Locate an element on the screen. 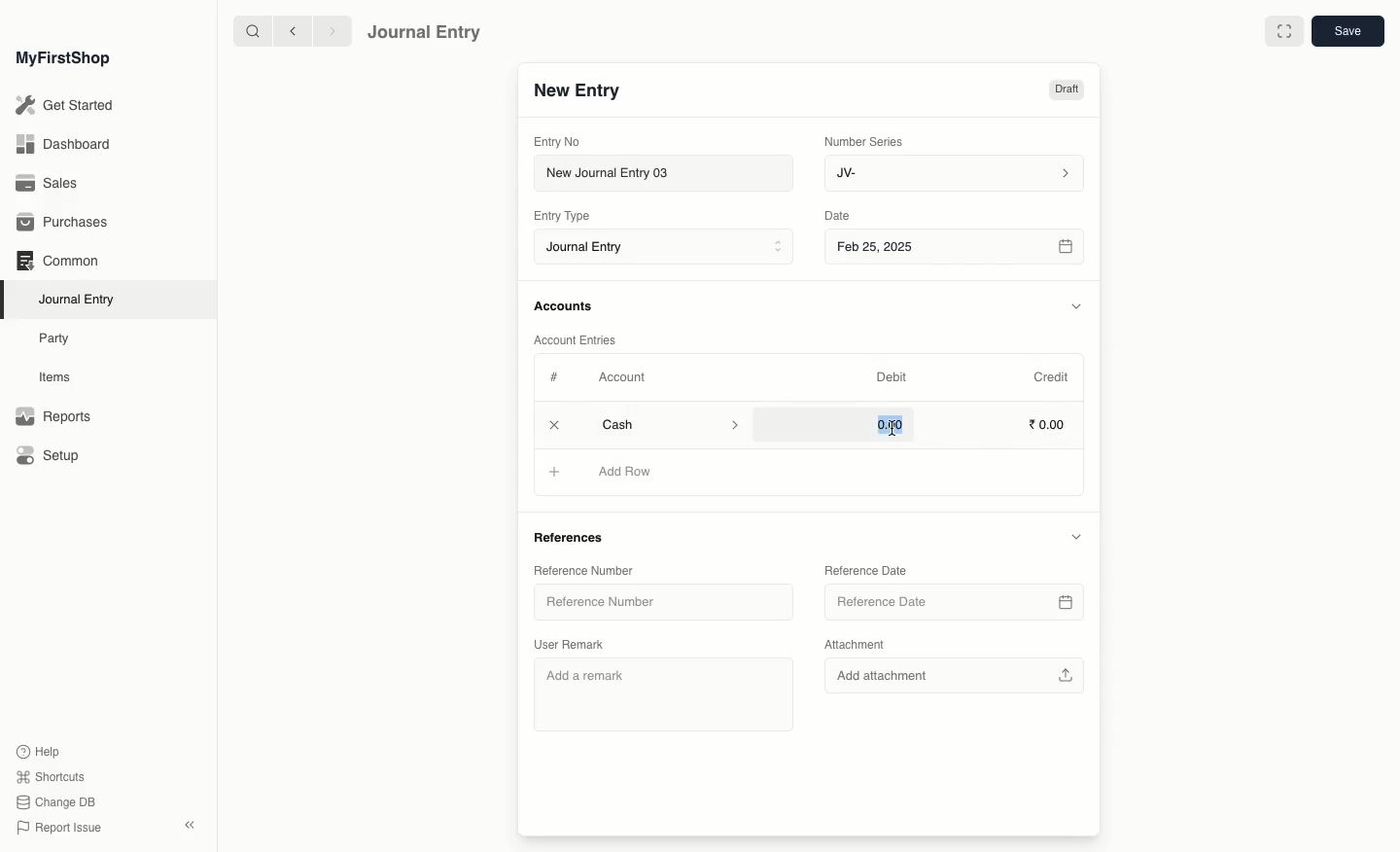 The image size is (1400, 852). Close is located at coordinates (556, 426).